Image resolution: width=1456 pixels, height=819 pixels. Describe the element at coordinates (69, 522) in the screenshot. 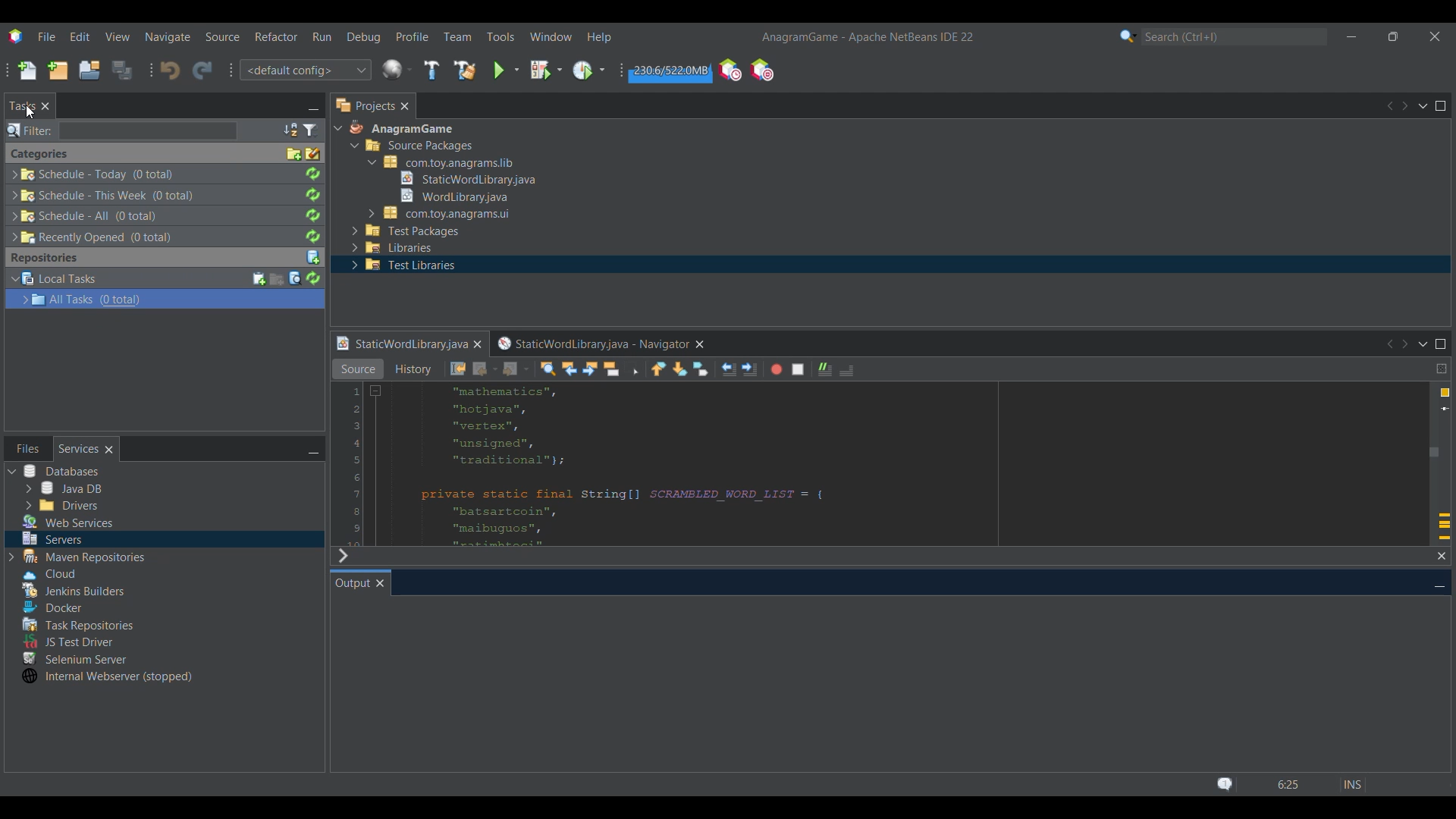

I see `` at that location.